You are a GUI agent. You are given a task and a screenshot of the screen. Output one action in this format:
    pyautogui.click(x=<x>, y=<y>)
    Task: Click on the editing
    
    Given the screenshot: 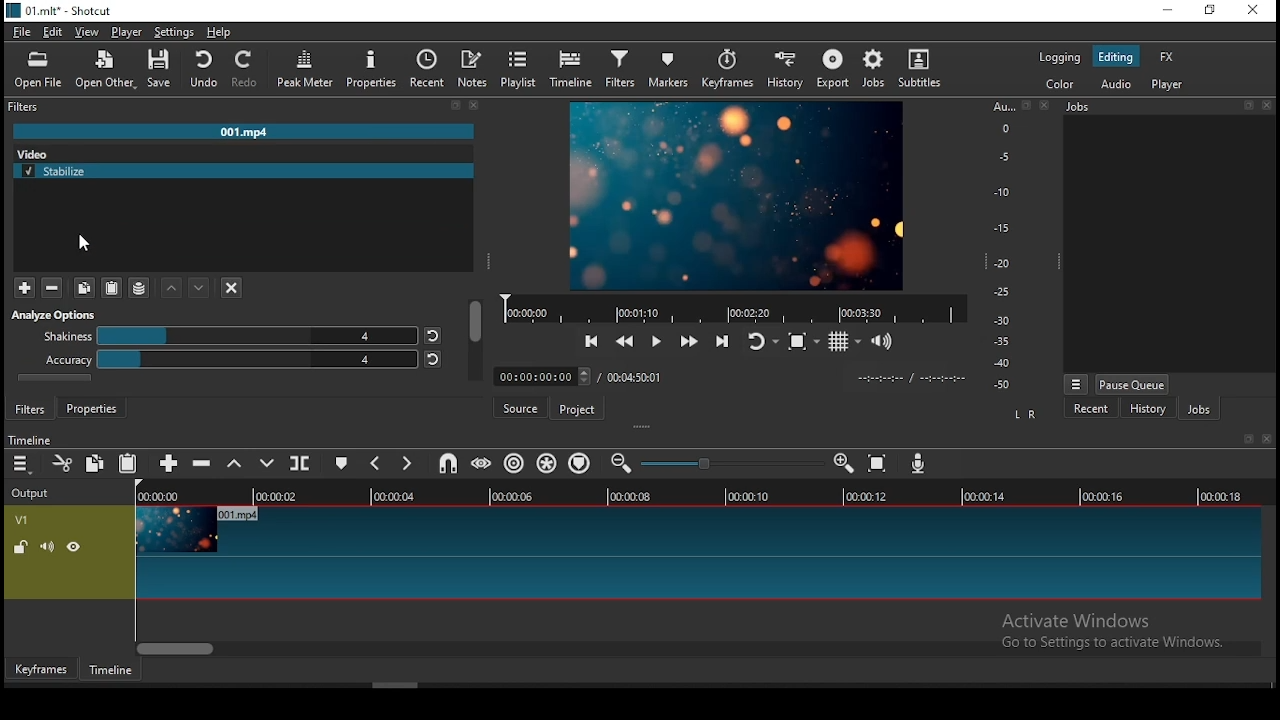 What is the action you would take?
    pyautogui.click(x=1117, y=55)
    